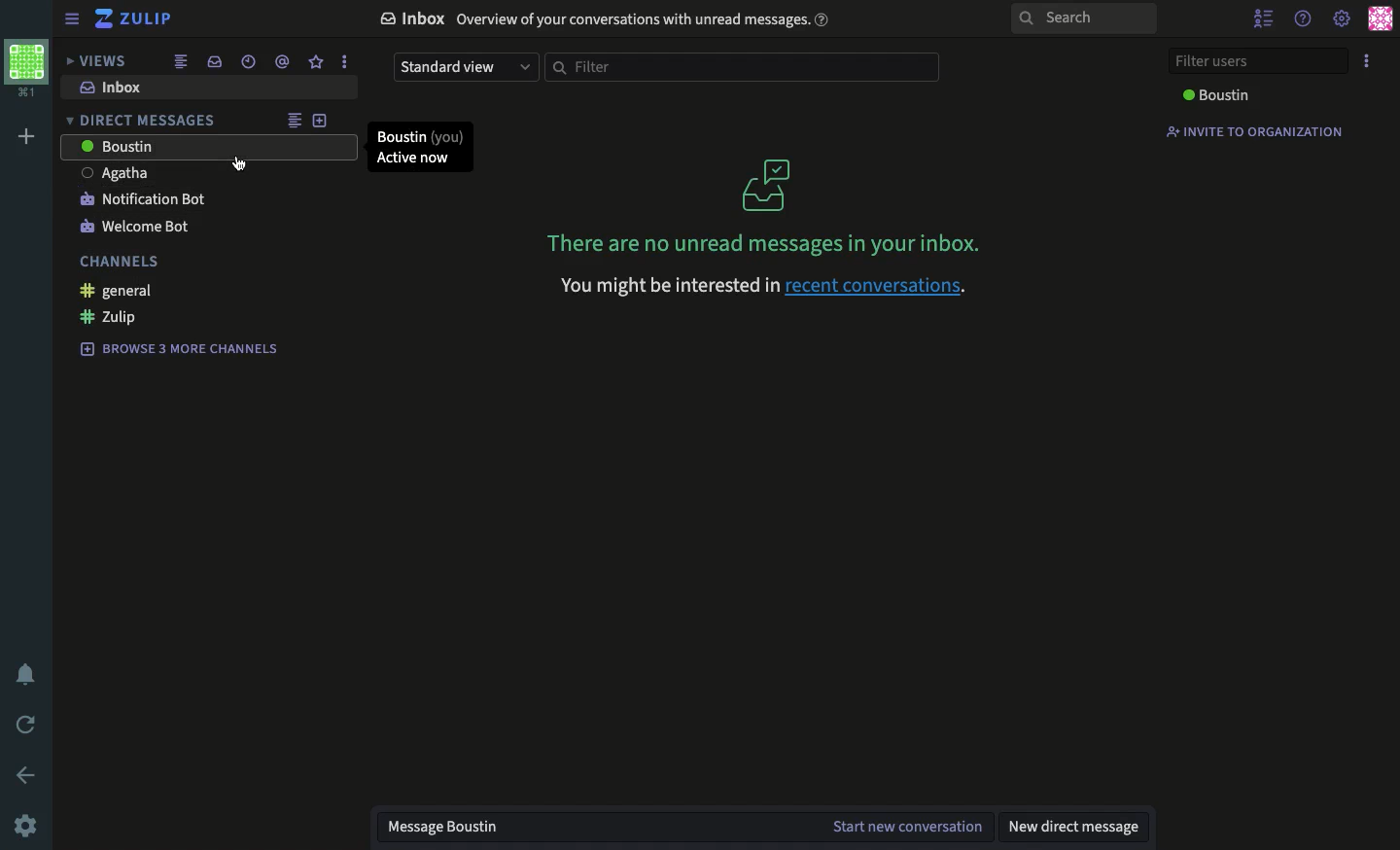 The width and height of the screenshot is (1400, 850). What do you see at coordinates (179, 350) in the screenshot?
I see `browse 3 more channels` at bounding box center [179, 350].